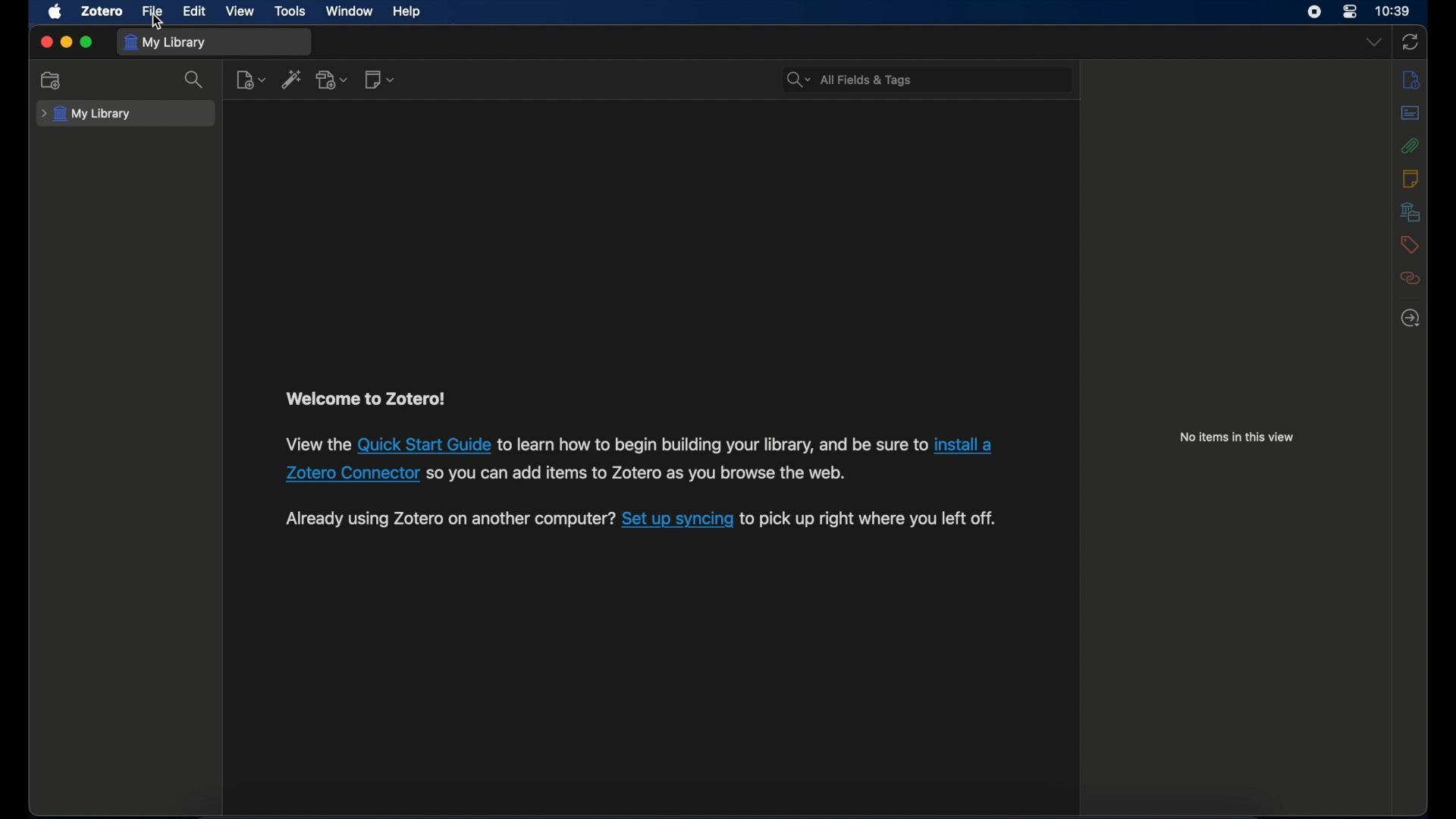 The width and height of the screenshot is (1456, 819). What do you see at coordinates (353, 472) in the screenshot?
I see `Zotero Connector` at bounding box center [353, 472].